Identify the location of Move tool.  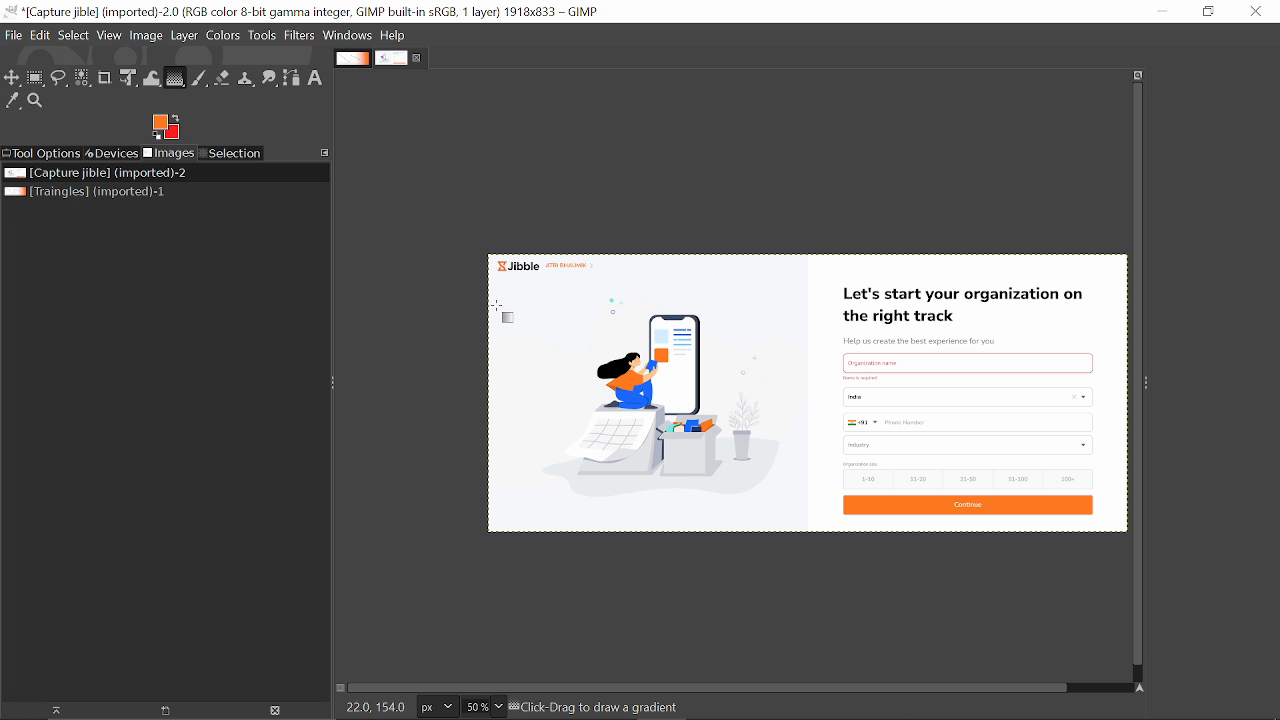
(12, 78).